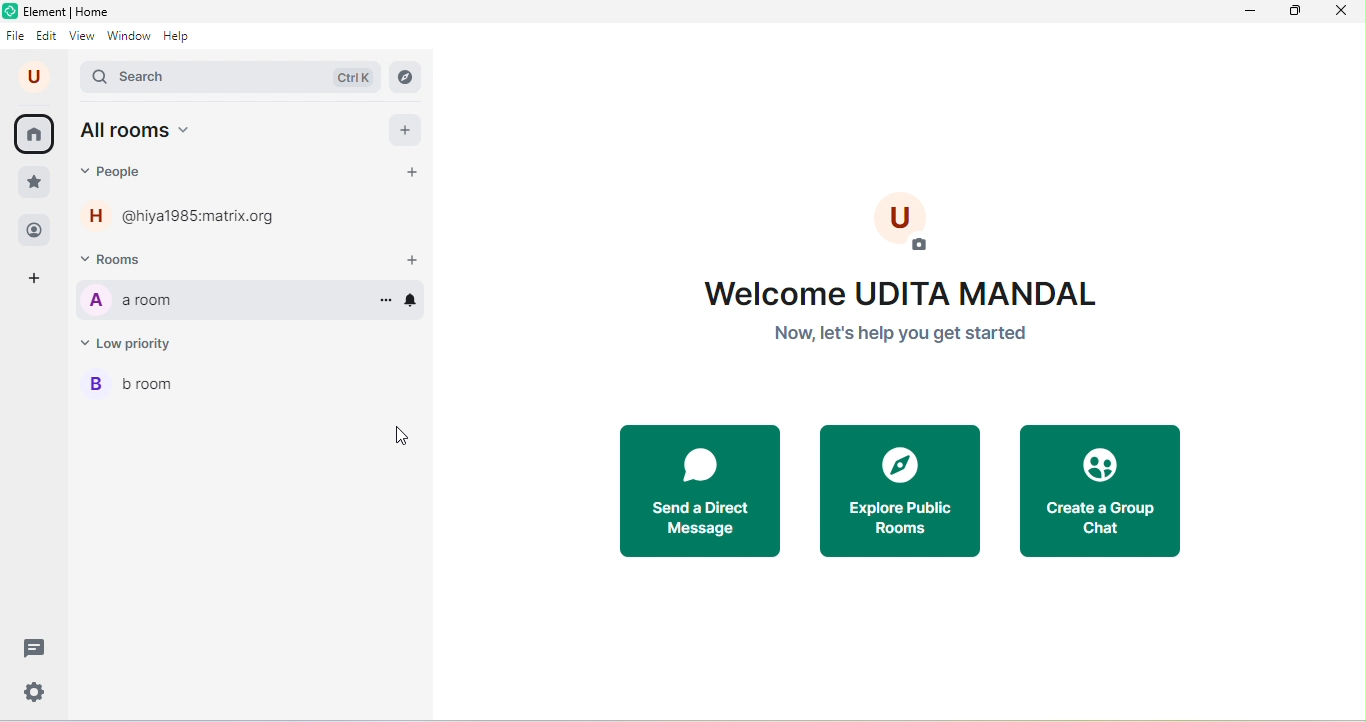 This screenshot has width=1366, height=722. Describe the element at coordinates (129, 343) in the screenshot. I see `low priority` at that location.